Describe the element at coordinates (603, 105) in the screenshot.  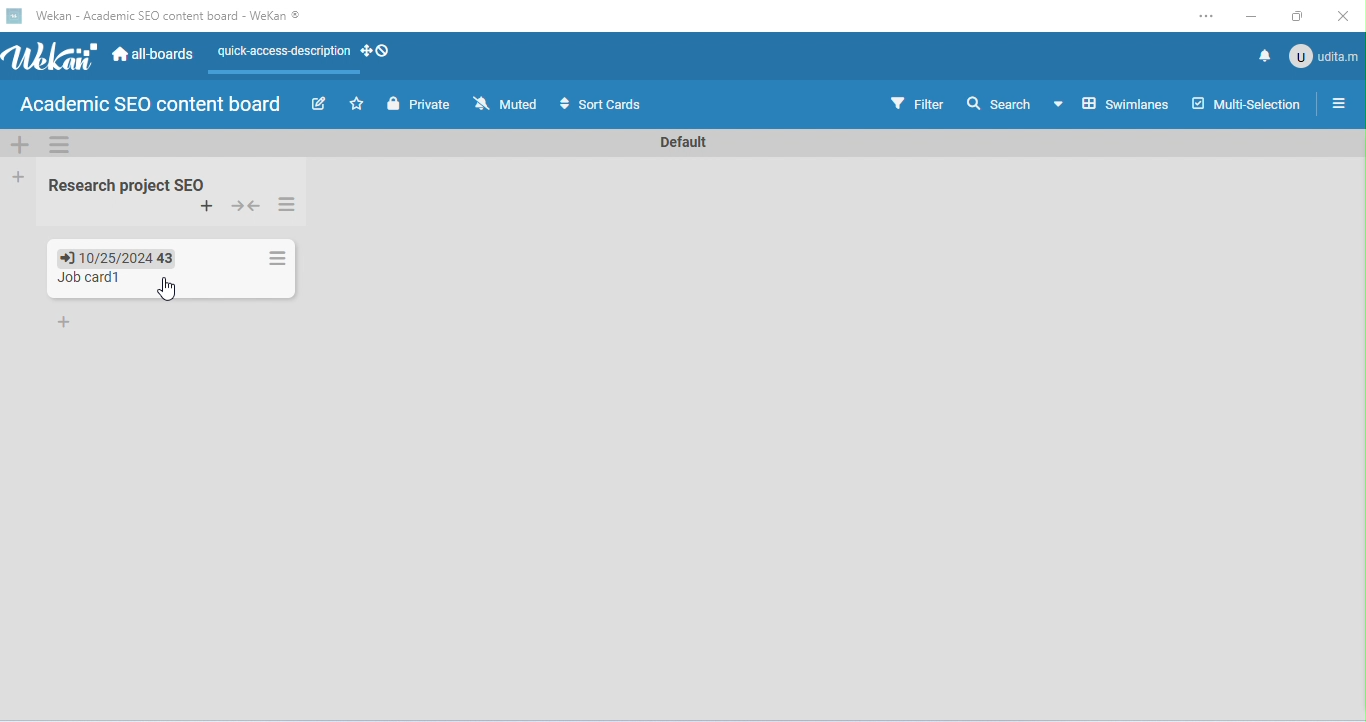
I see `sort cards` at that location.